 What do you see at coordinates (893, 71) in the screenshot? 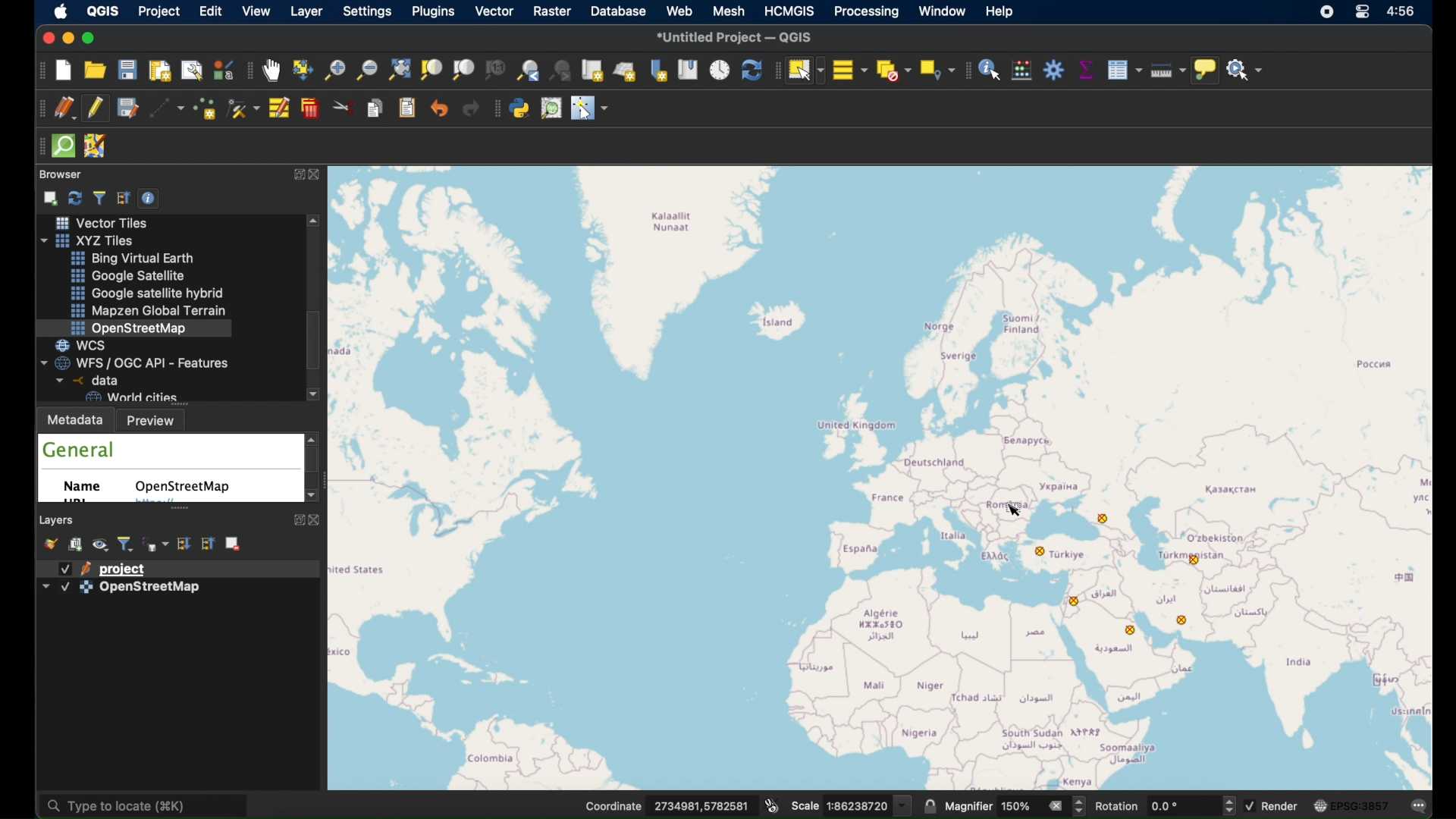
I see `deselect features from all layers` at bounding box center [893, 71].